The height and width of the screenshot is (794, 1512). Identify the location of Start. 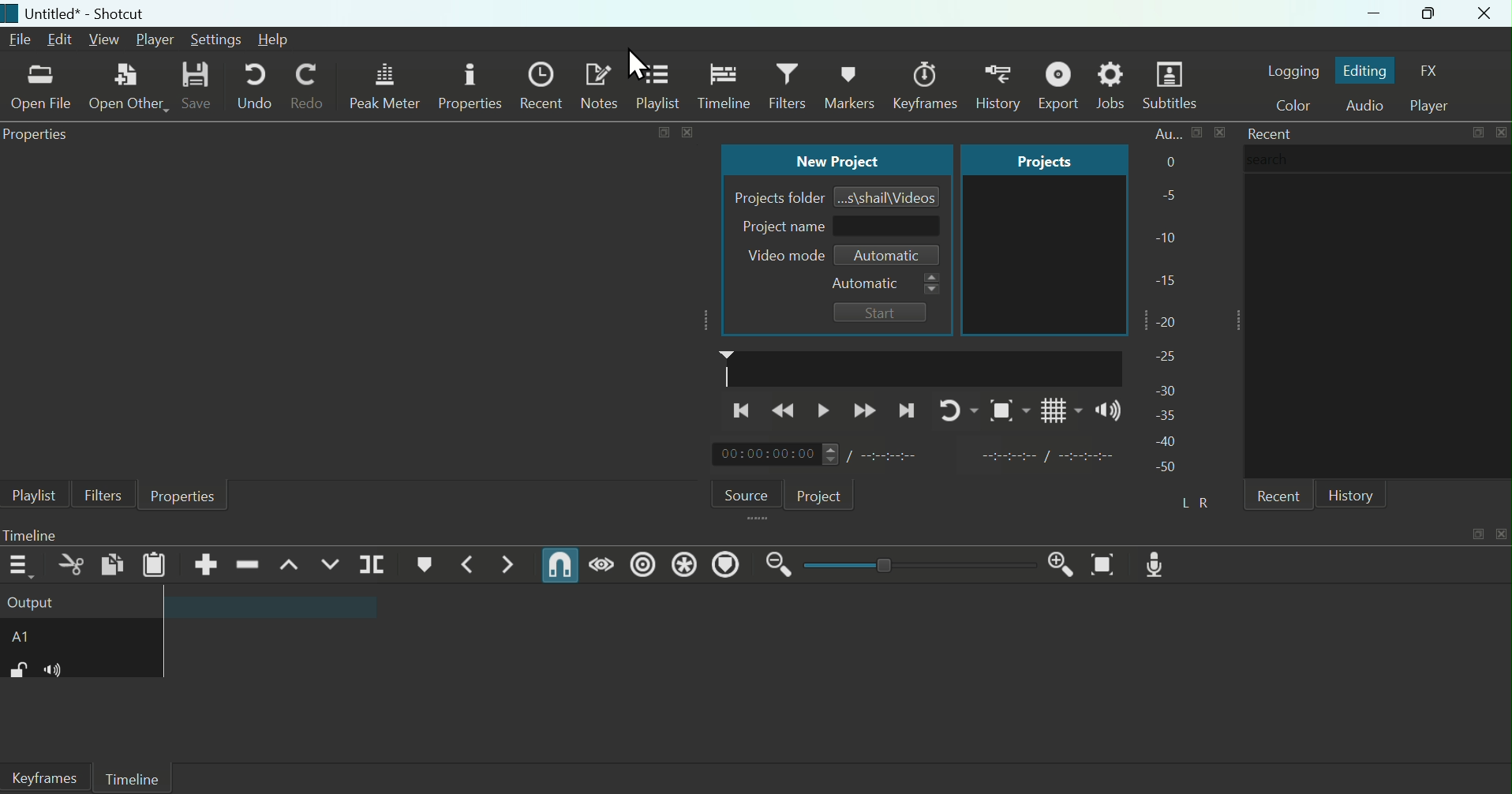
(881, 312).